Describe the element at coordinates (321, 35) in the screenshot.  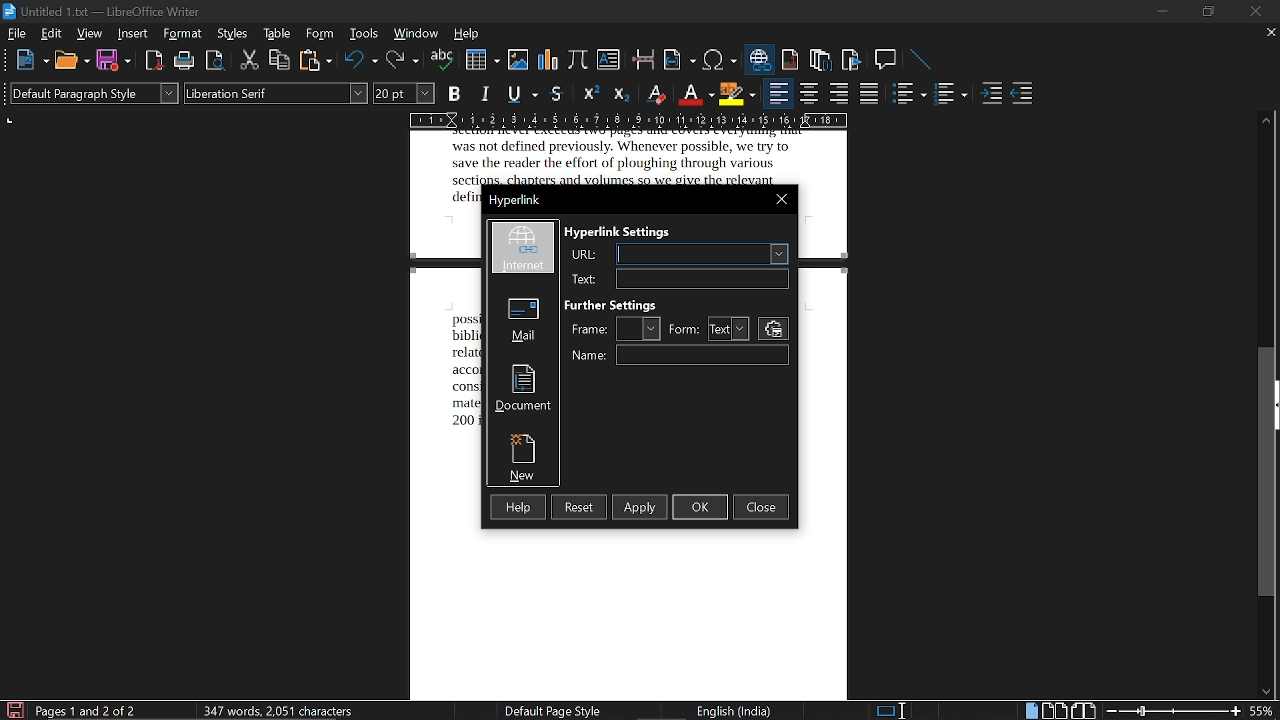
I see `form` at that location.